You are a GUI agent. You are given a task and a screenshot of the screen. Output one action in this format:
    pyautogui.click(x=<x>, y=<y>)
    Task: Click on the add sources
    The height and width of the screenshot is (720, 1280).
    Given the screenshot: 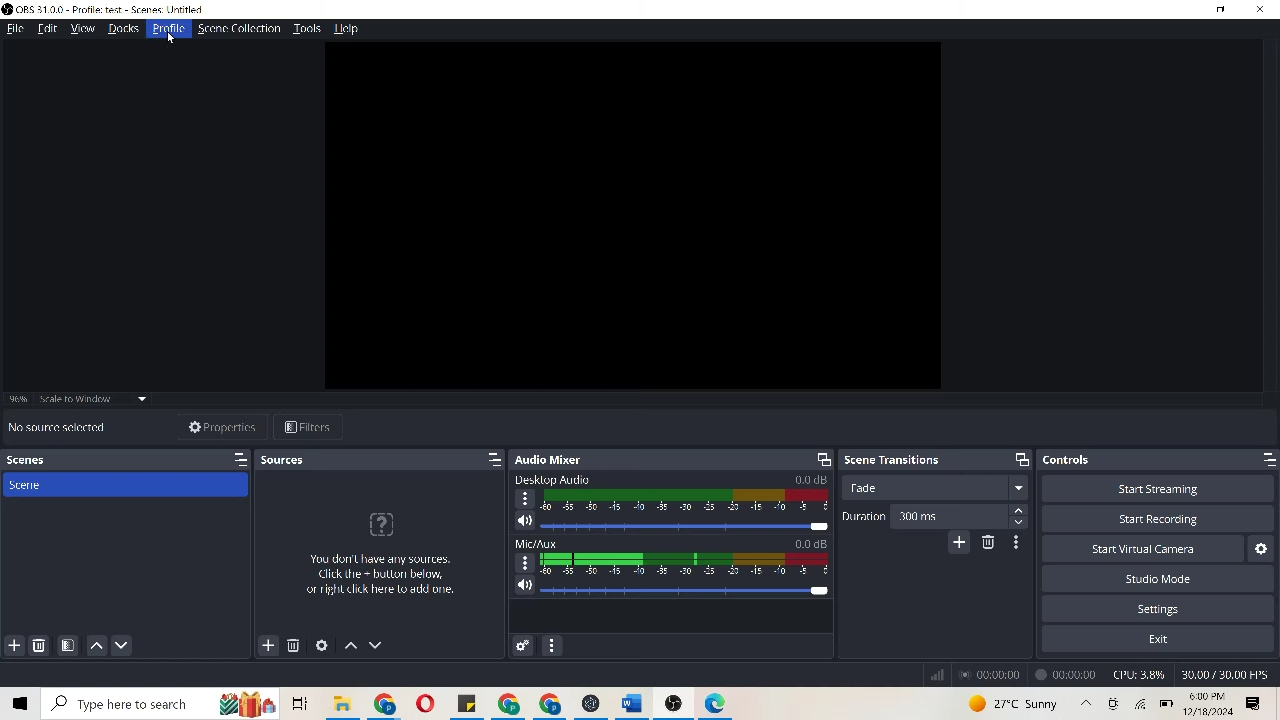 What is the action you would take?
    pyautogui.click(x=266, y=644)
    